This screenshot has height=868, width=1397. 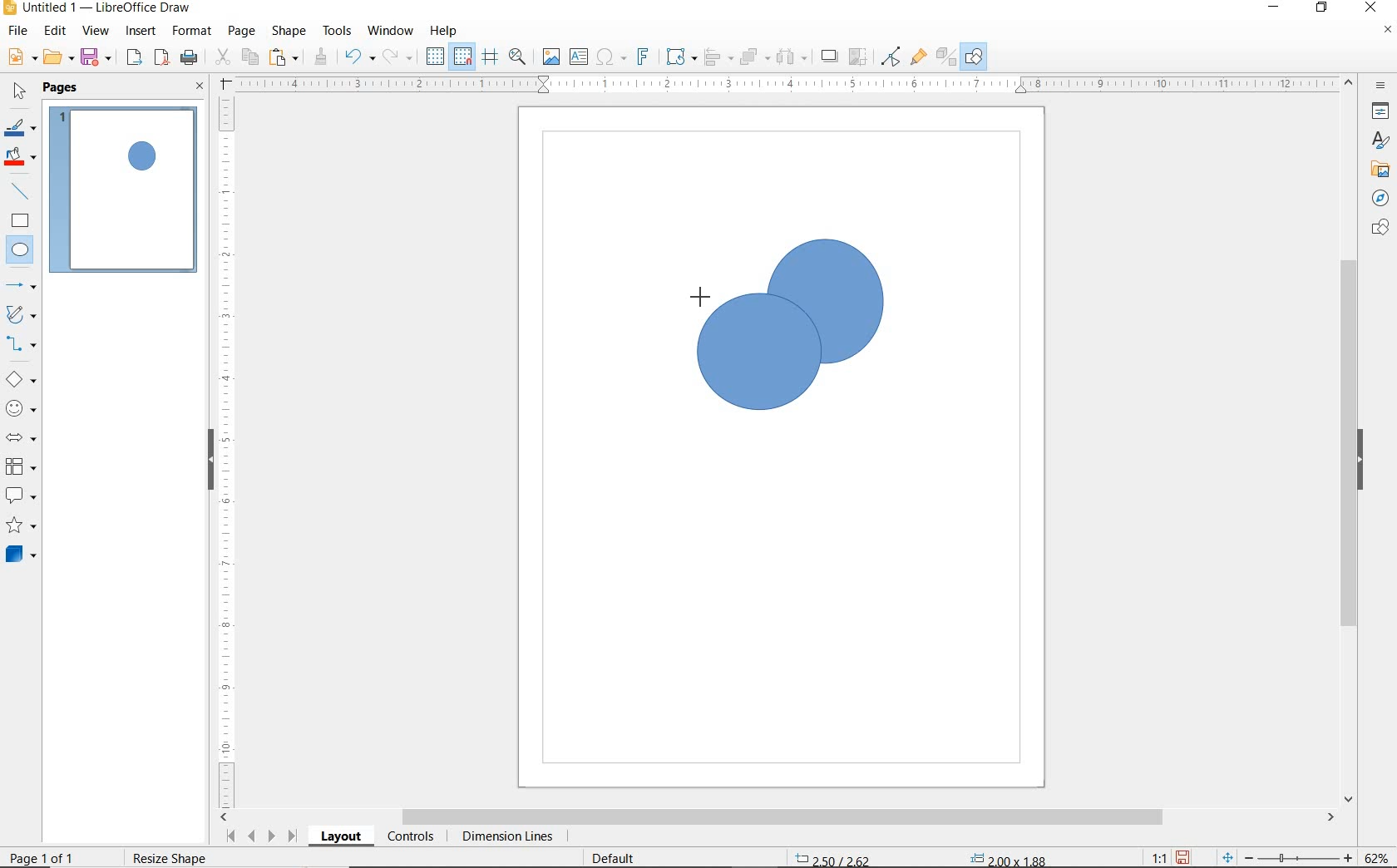 I want to click on SCROLLBAR, so click(x=778, y=818).